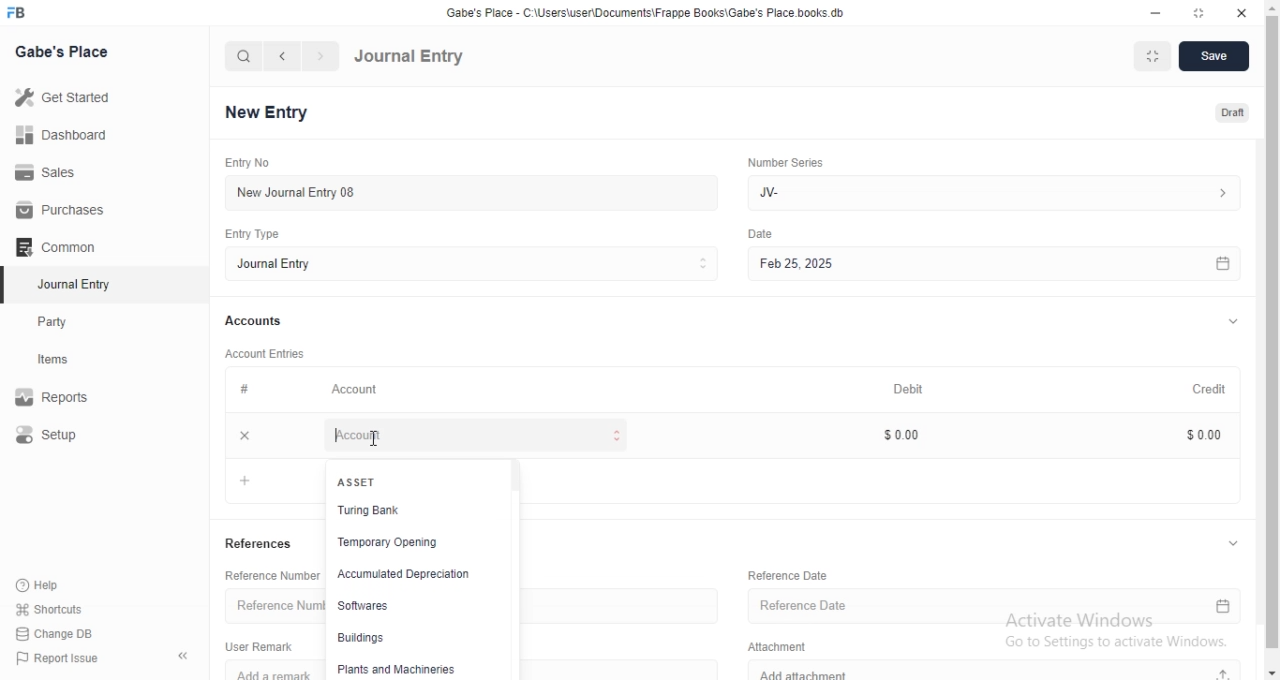 The image size is (1280, 680). Describe the element at coordinates (243, 390) in the screenshot. I see `#` at that location.